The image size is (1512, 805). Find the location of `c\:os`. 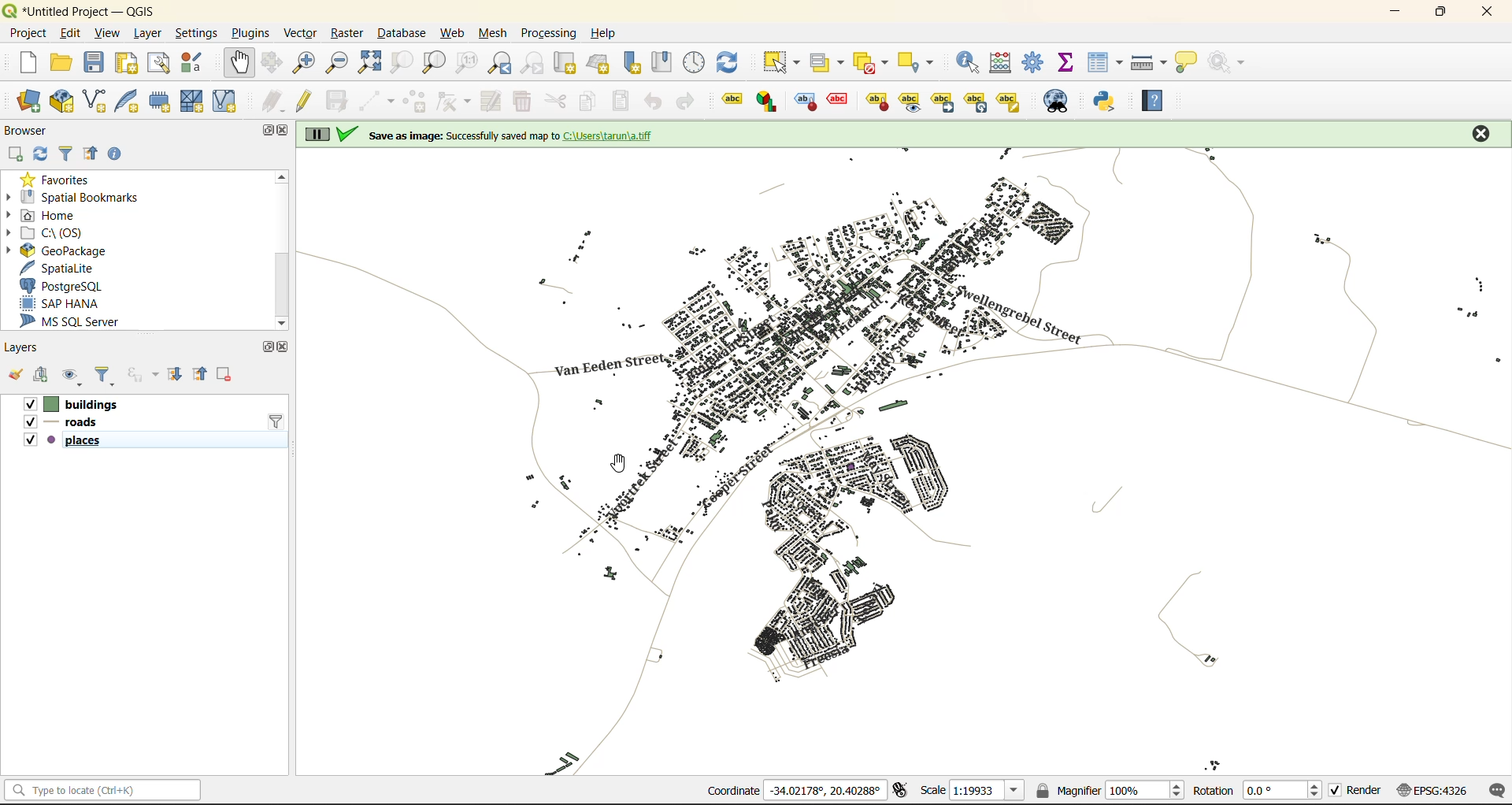

c\:os is located at coordinates (49, 233).